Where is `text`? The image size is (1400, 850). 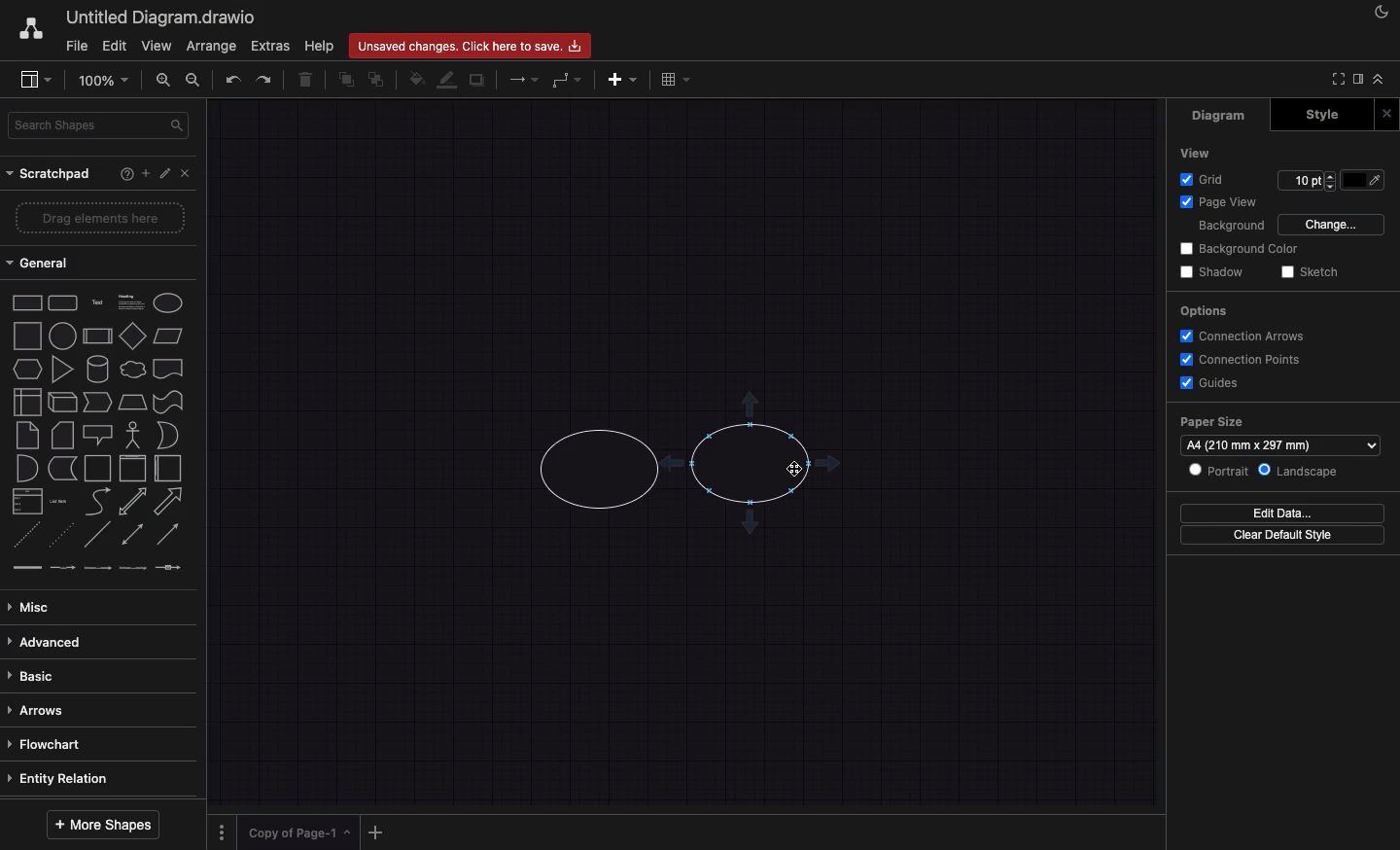 text is located at coordinates (99, 301).